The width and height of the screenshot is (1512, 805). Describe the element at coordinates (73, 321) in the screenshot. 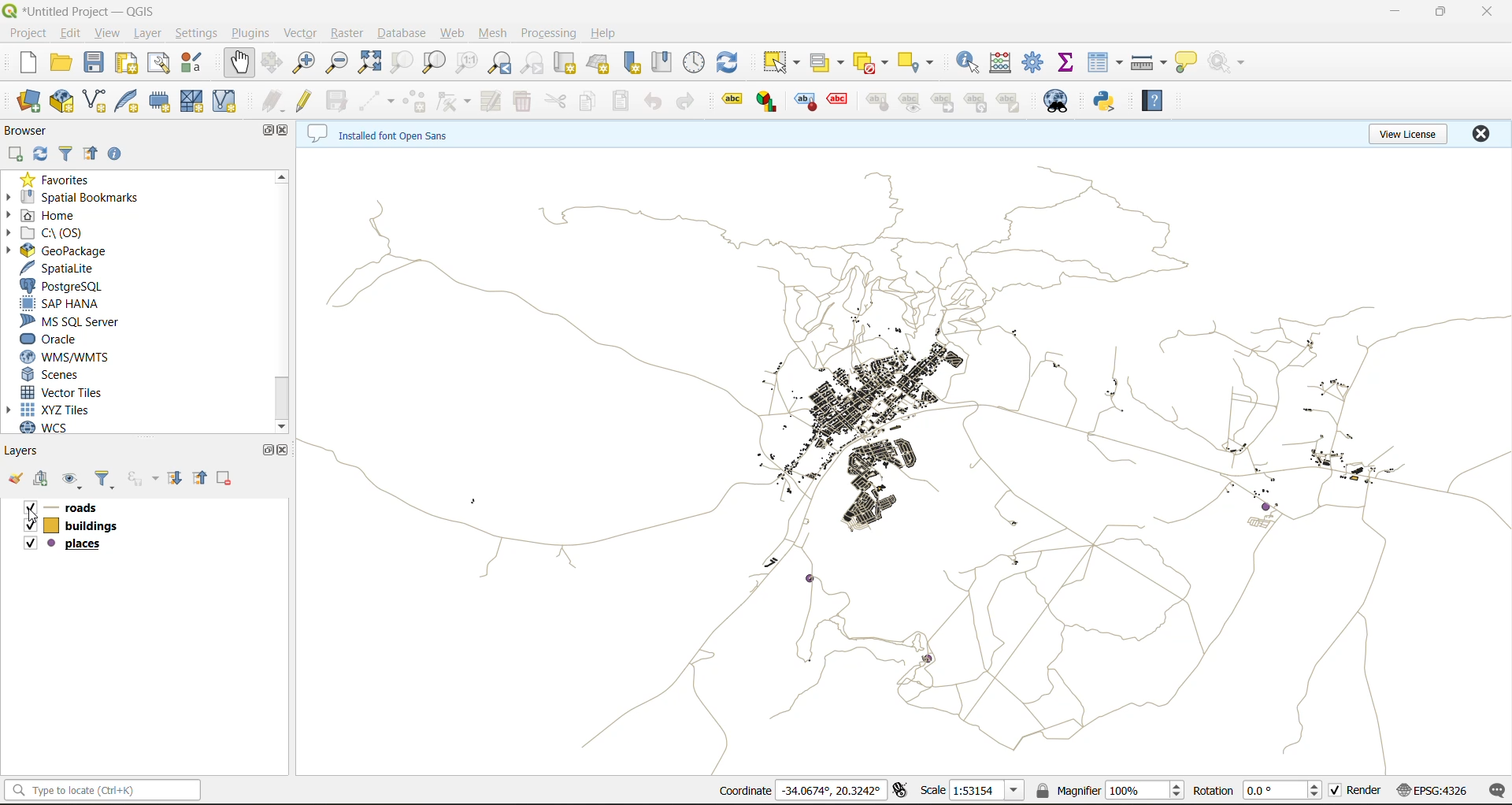

I see `ms sql server` at that location.